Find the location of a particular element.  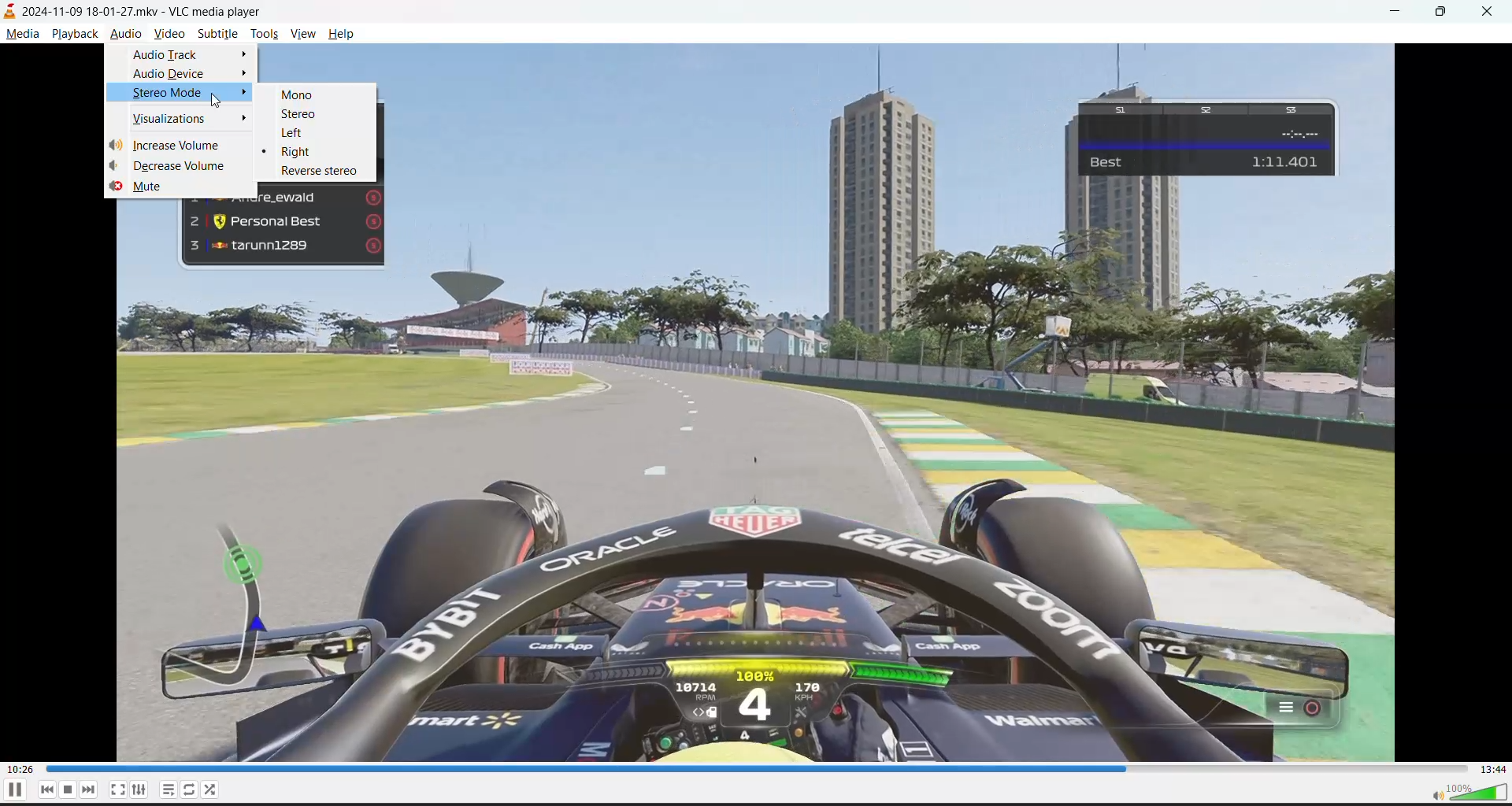

preview is located at coordinates (754, 534).